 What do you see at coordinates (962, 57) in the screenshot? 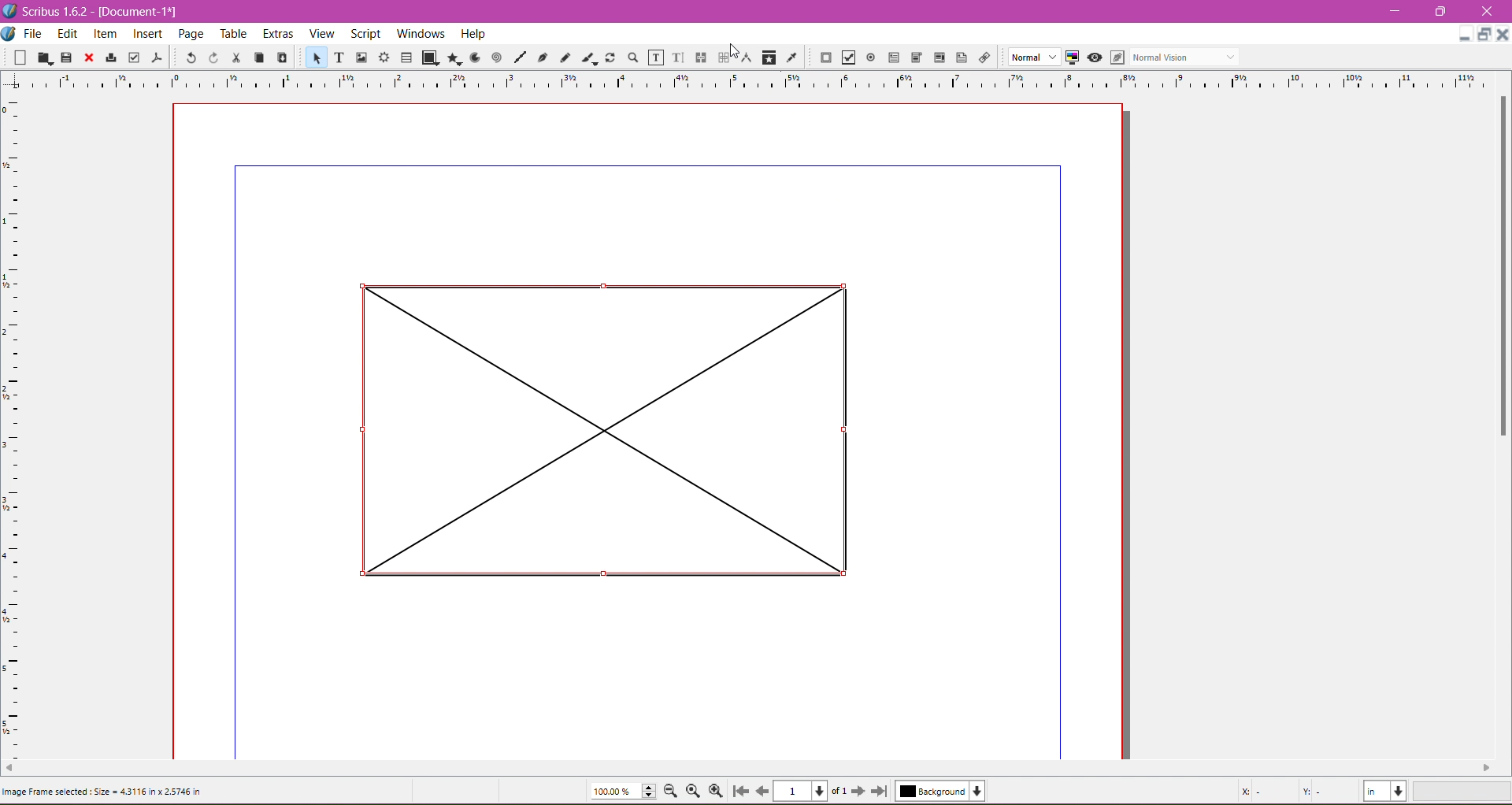
I see `Text Annotation` at bounding box center [962, 57].